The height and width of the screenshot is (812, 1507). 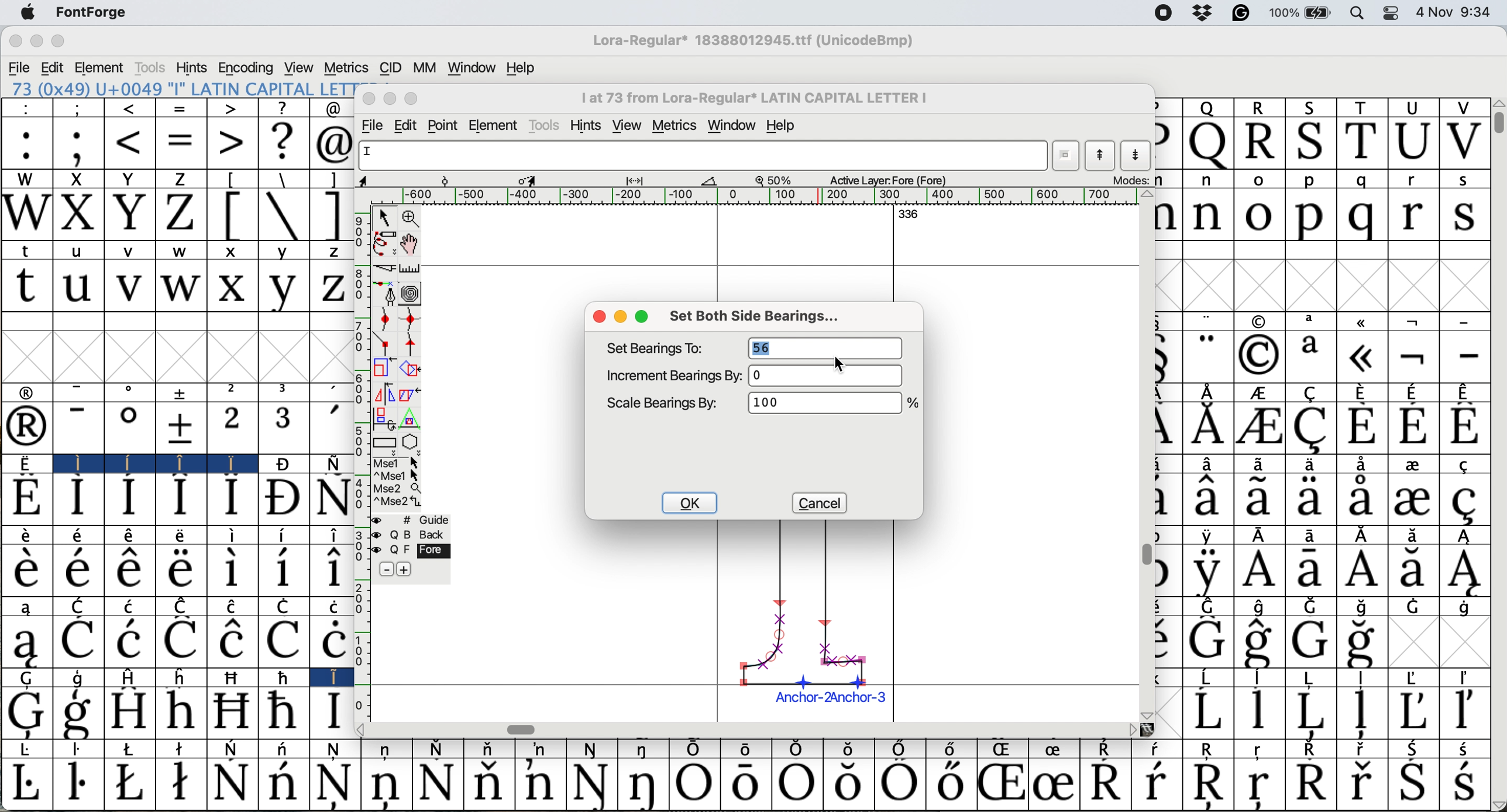 What do you see at coordinates (80, 678) in the screenshot?
I see `g` at bounding box center [80, 678].